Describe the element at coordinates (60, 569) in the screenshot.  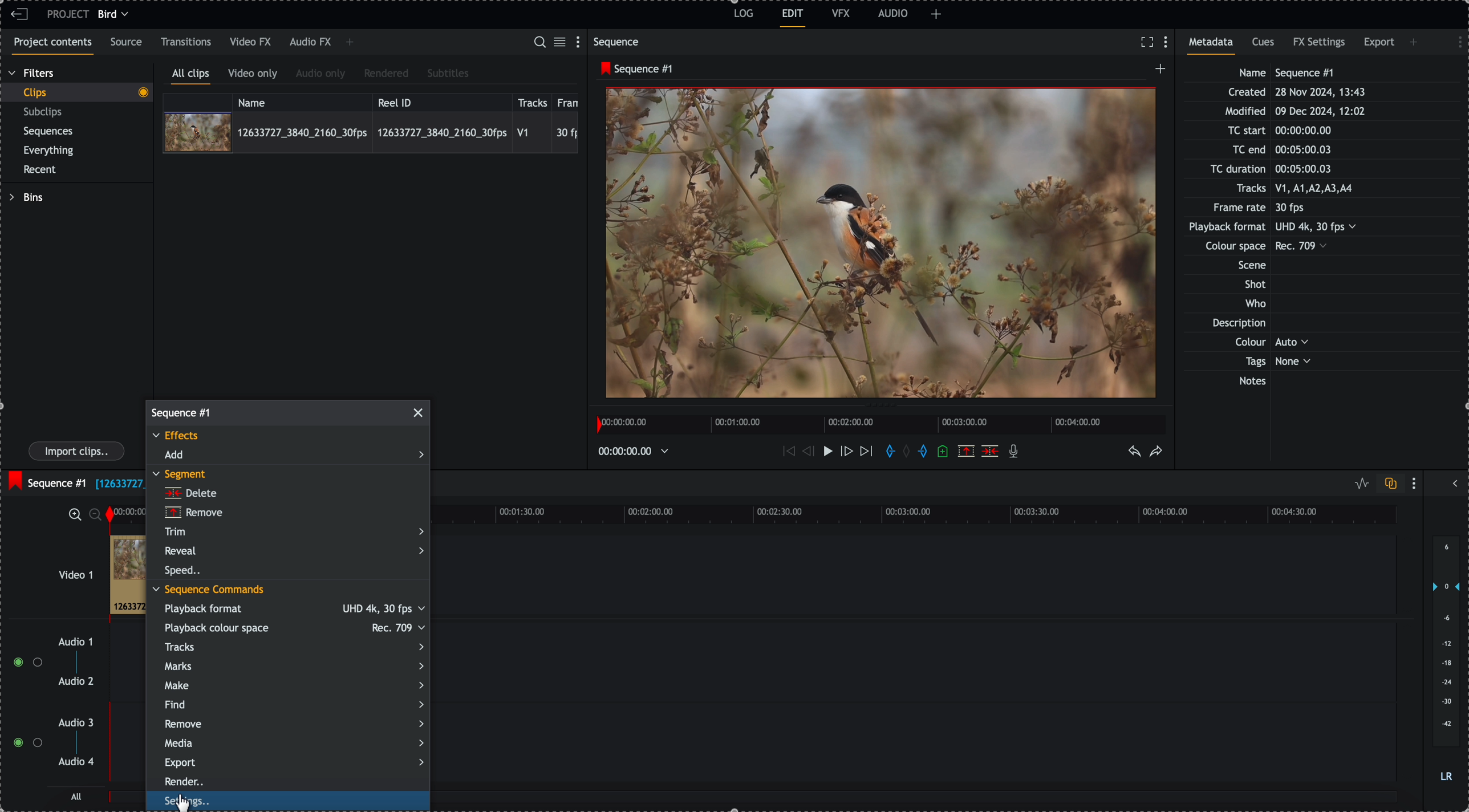
I see `video 1` at that location.